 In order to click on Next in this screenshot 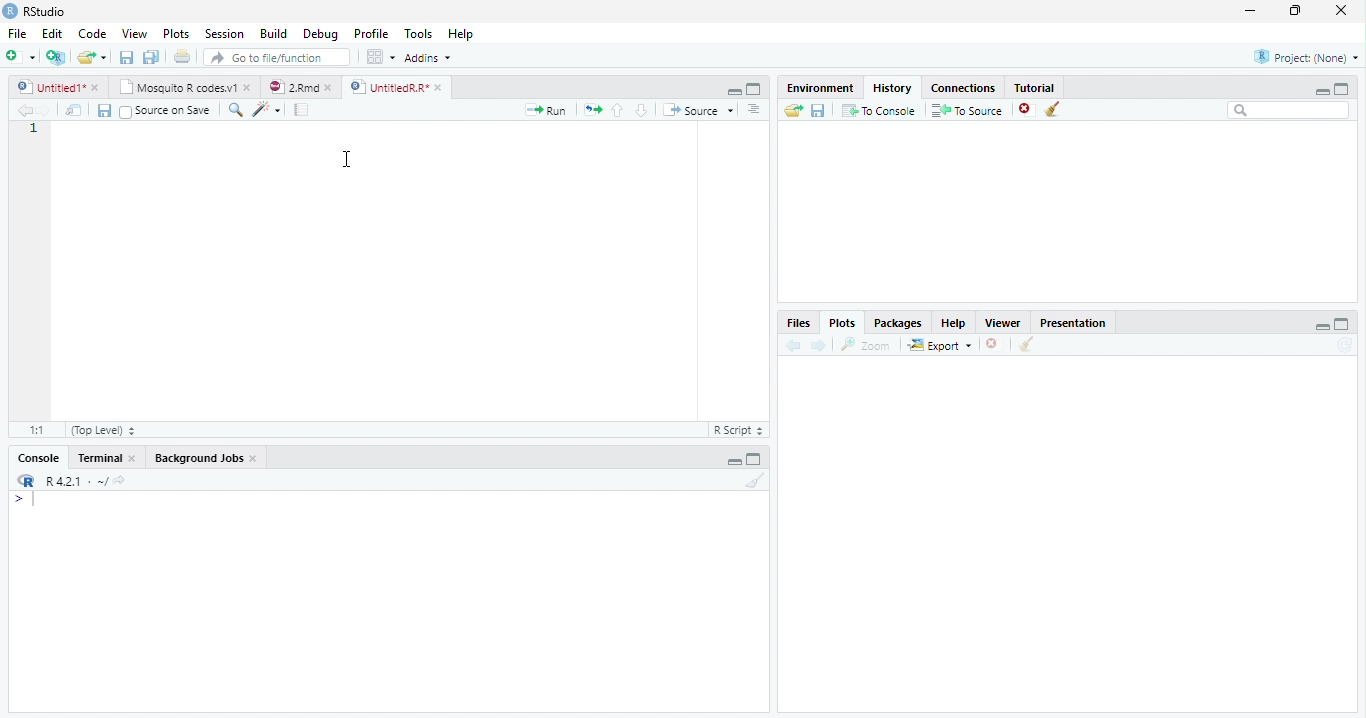, I will do `click(821, 346)`.